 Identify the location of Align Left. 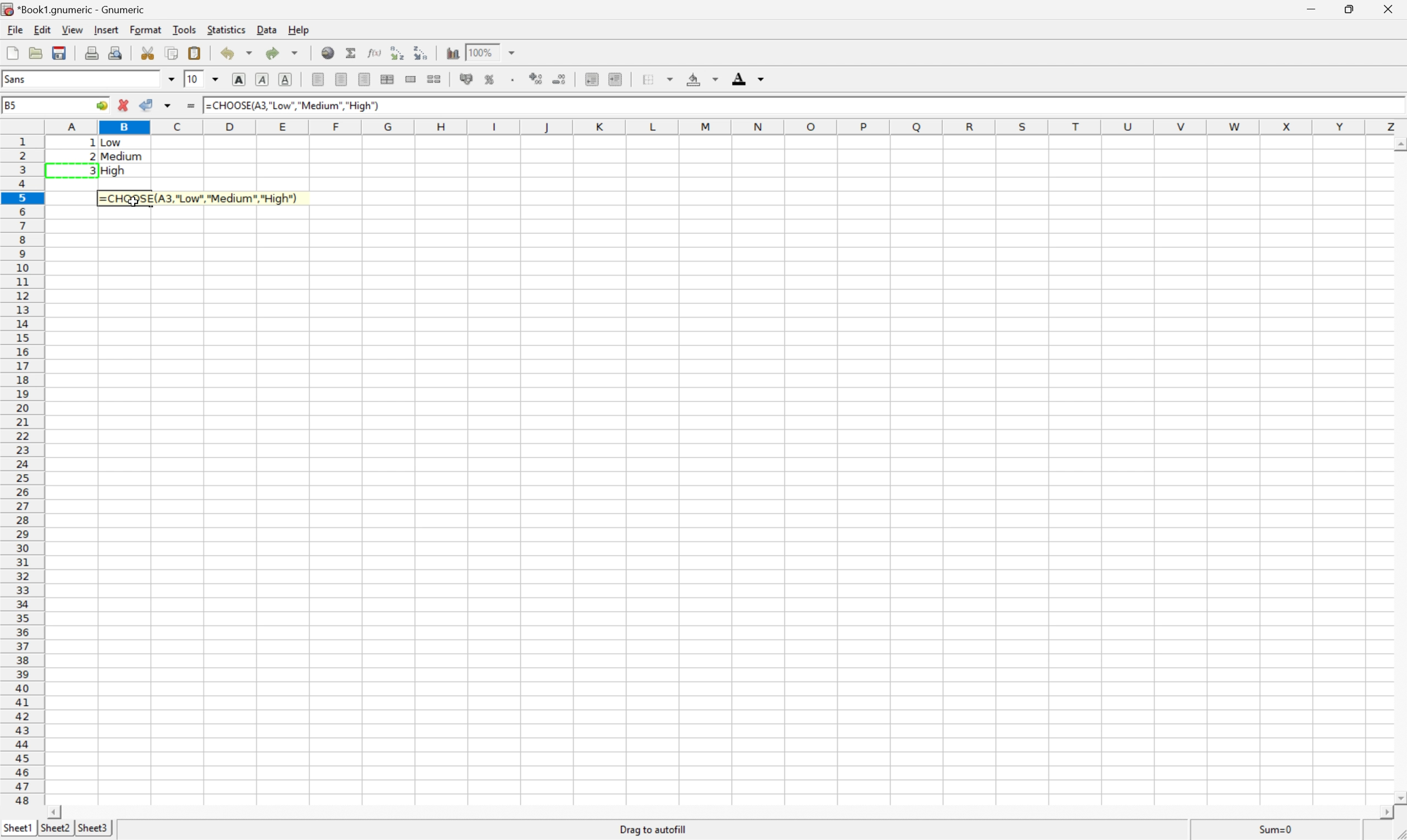
(318, 78).